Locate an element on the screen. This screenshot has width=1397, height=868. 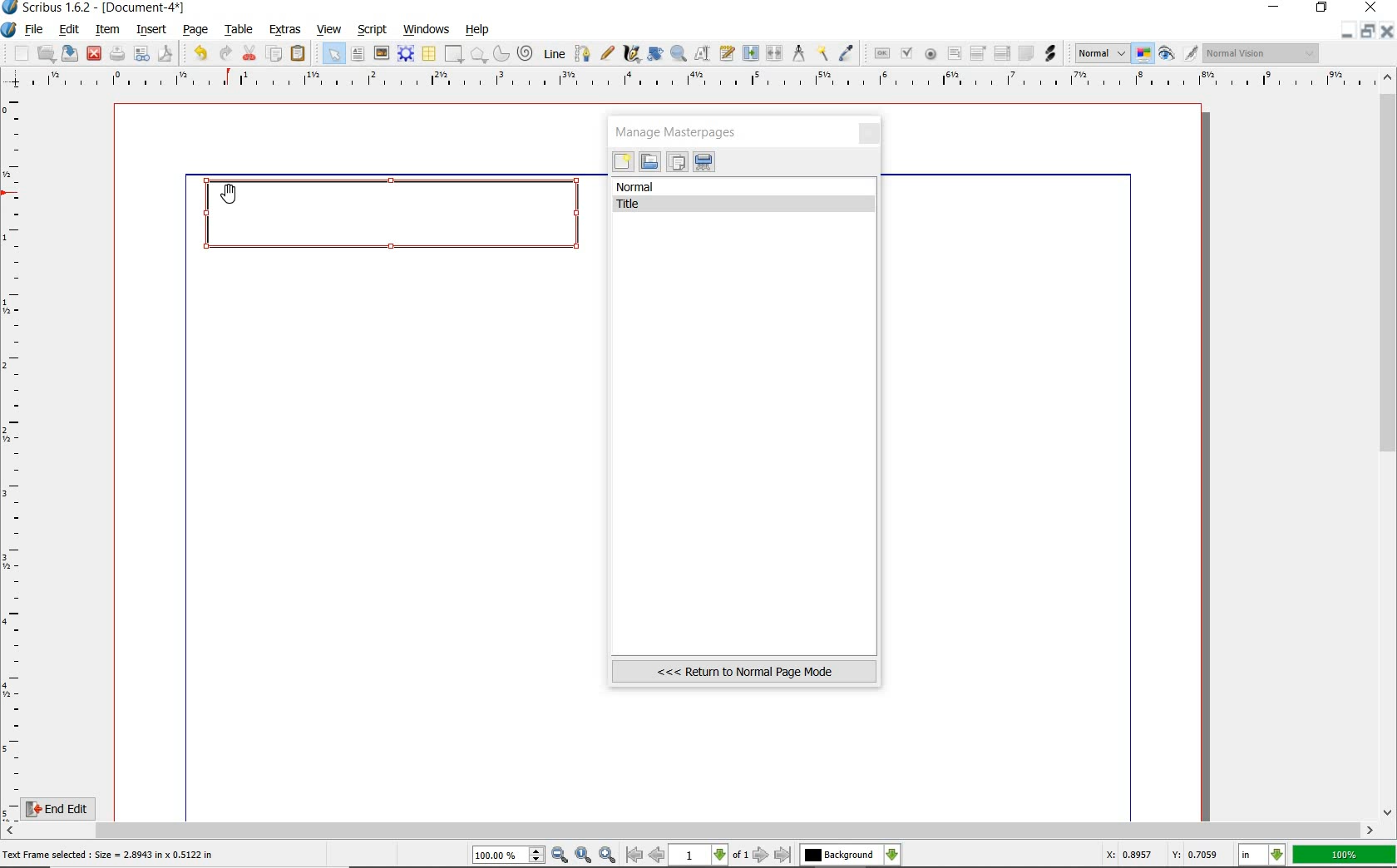
rotate item is located at coordinates (654, 55).